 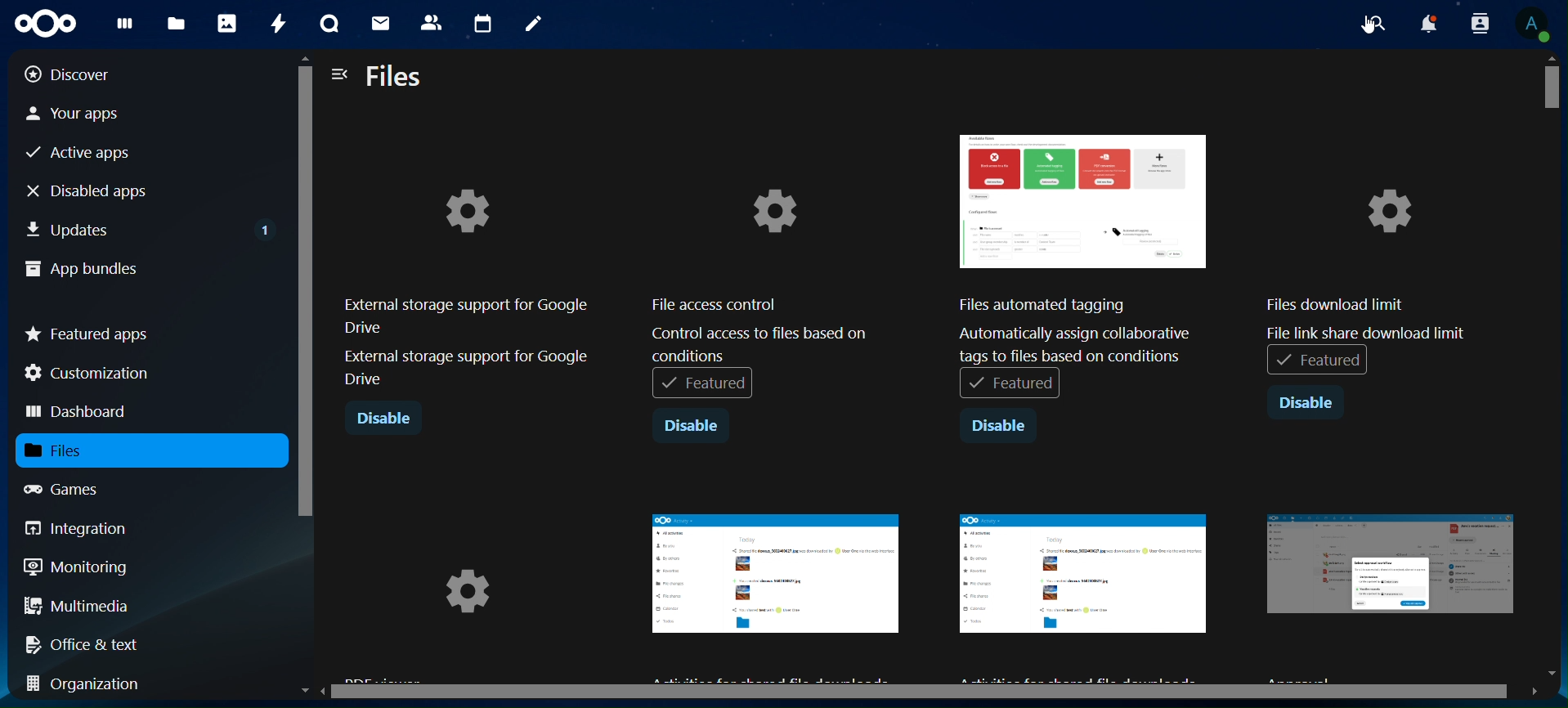 What do you see at coordinates (1084, 594) in the screenshot?
I see `image` at bounding box center [1084, 594].